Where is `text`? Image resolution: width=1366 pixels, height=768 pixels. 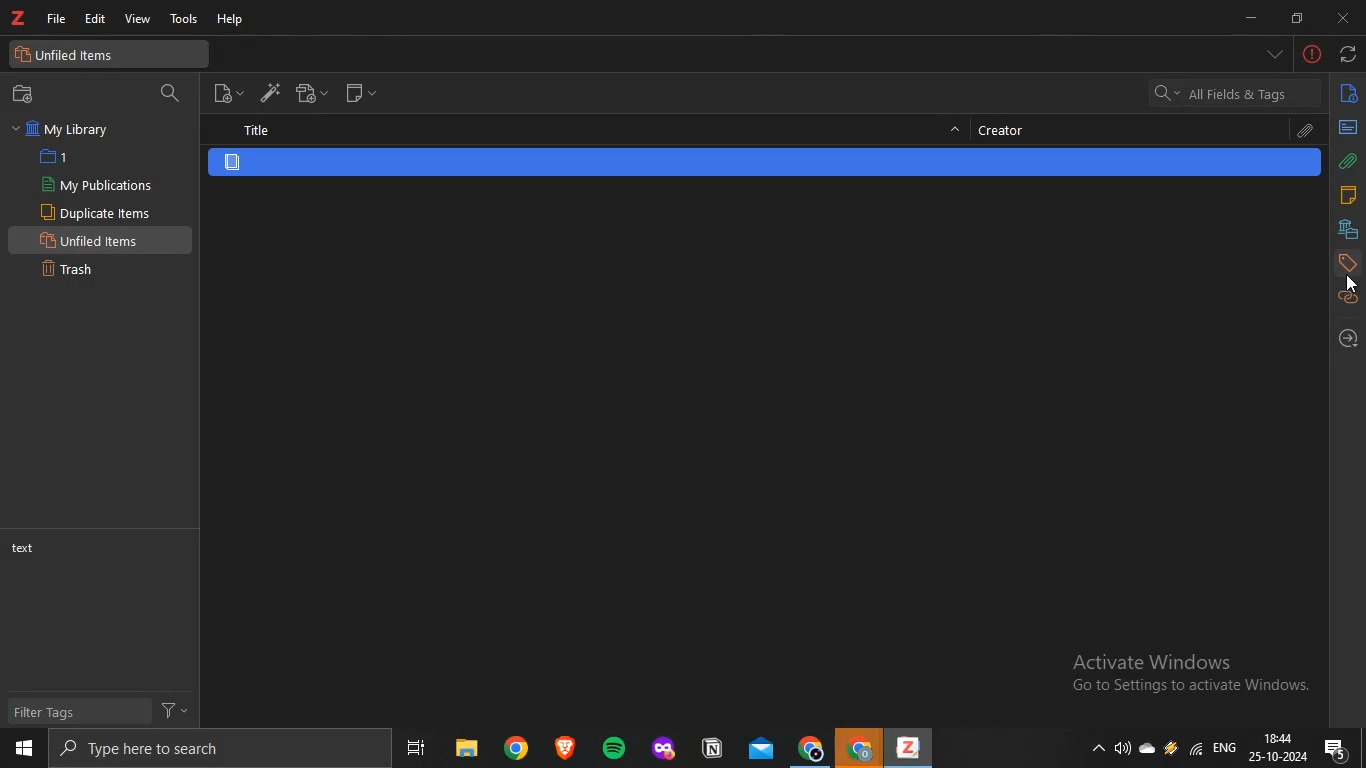 text is located at coordinates (21, 19).